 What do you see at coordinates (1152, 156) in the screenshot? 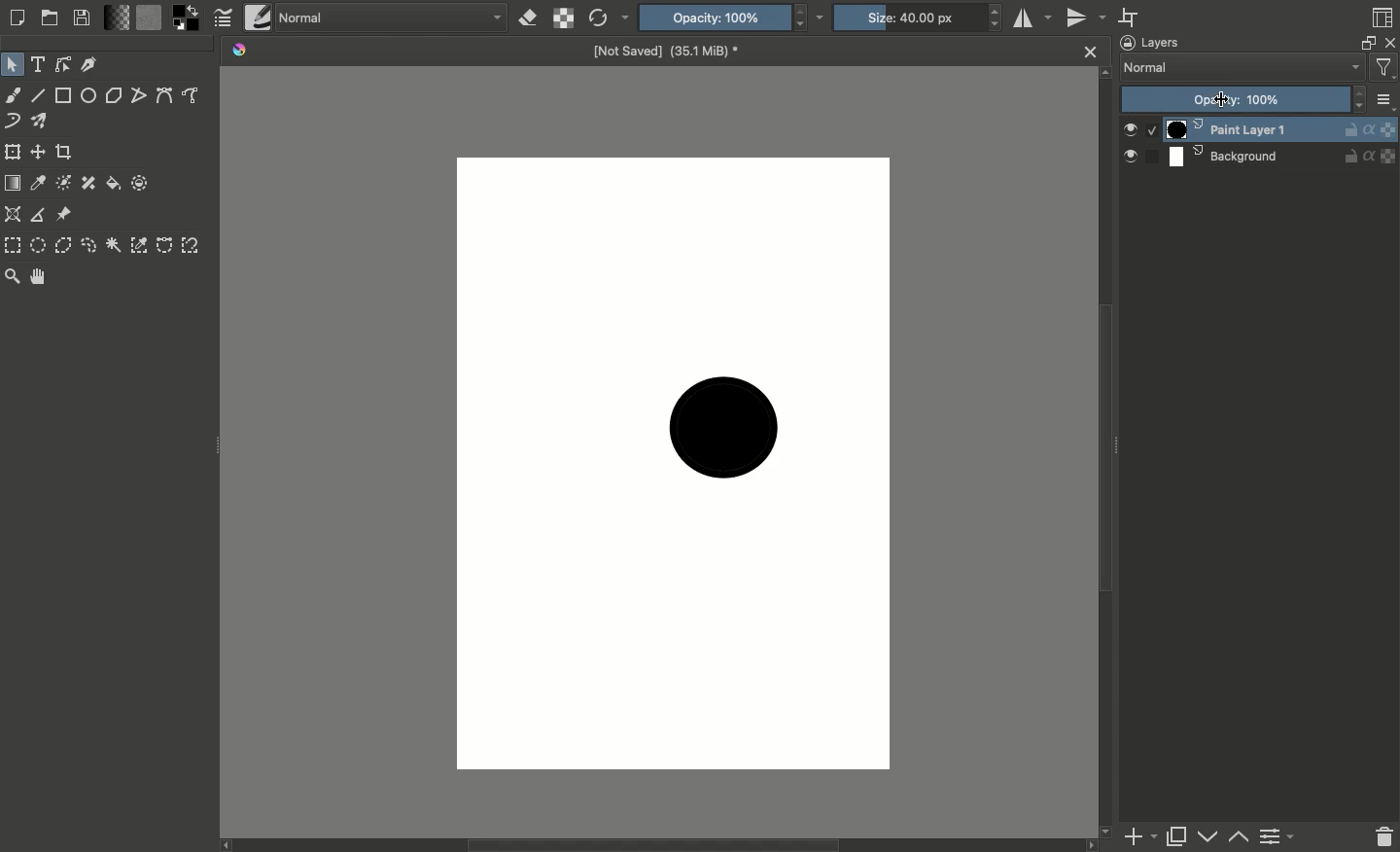
I see `select slot` at bounding box center [1152, 156].